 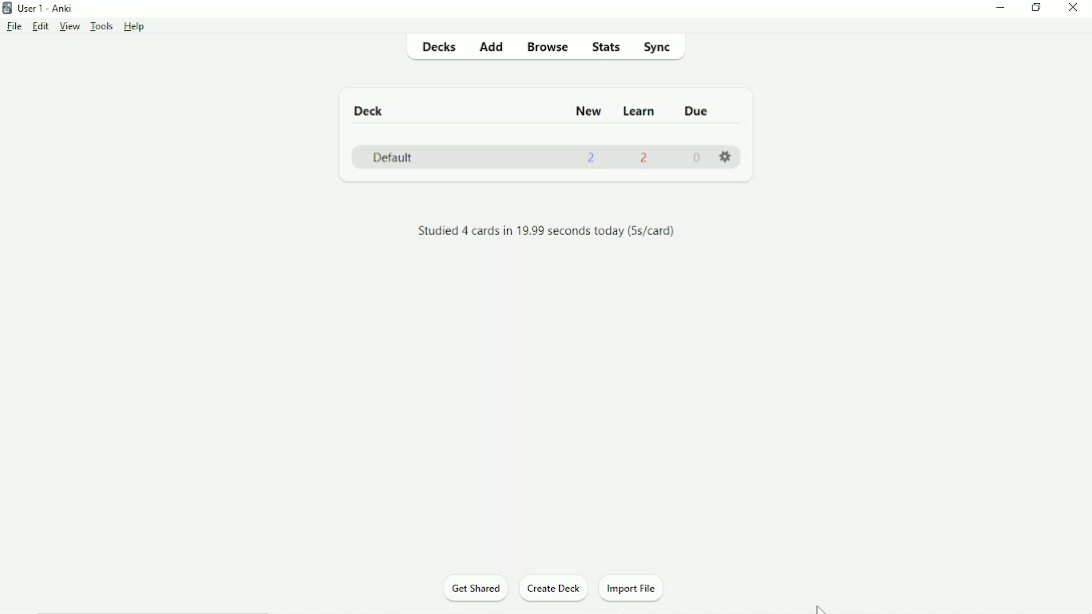 I want to click on Learn, so click(x=642, y=112).